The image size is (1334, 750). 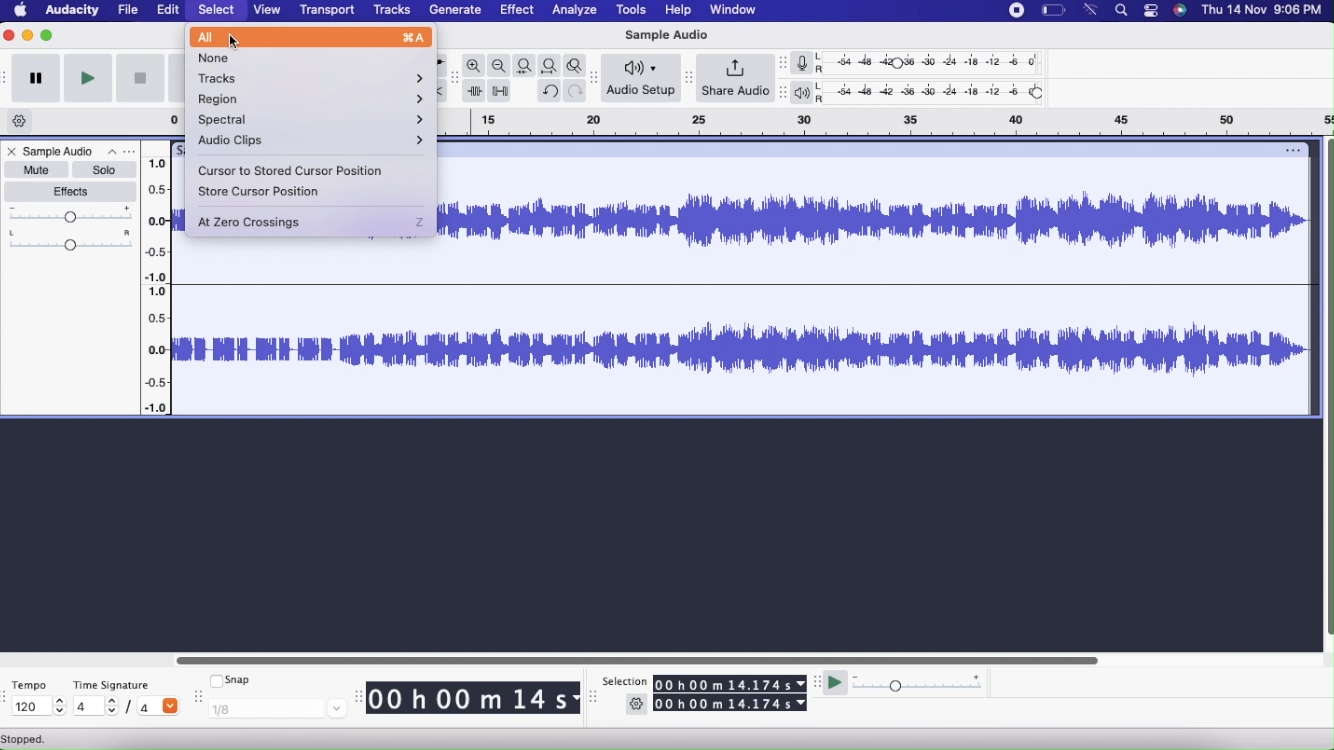 What do you see at coordinates (1093, 11) in the screenshot?
I see `Wifi signal` at bounding box center [1093, 11].